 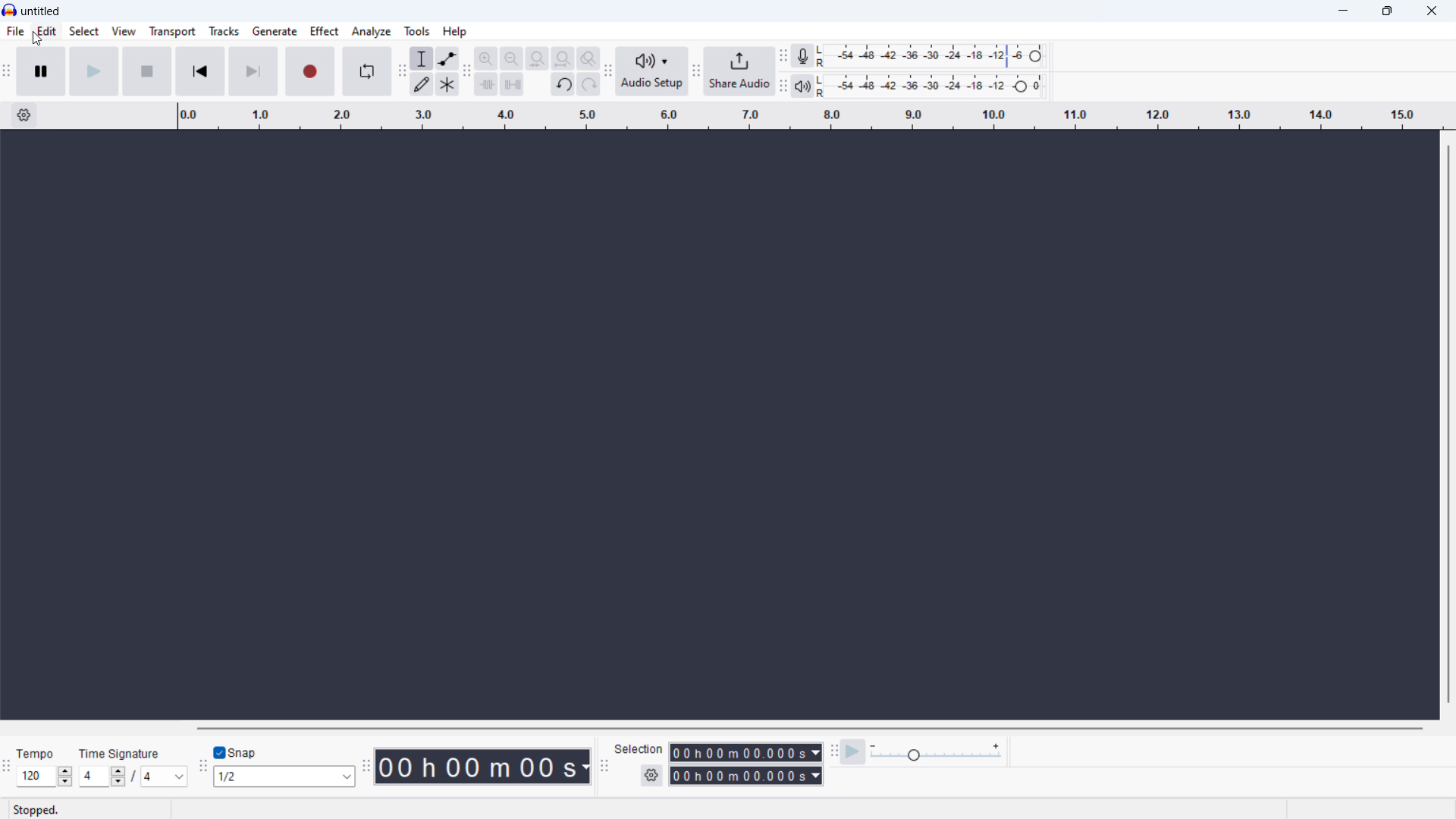 I want to click on time toolbar, so click(x=366, y=767).